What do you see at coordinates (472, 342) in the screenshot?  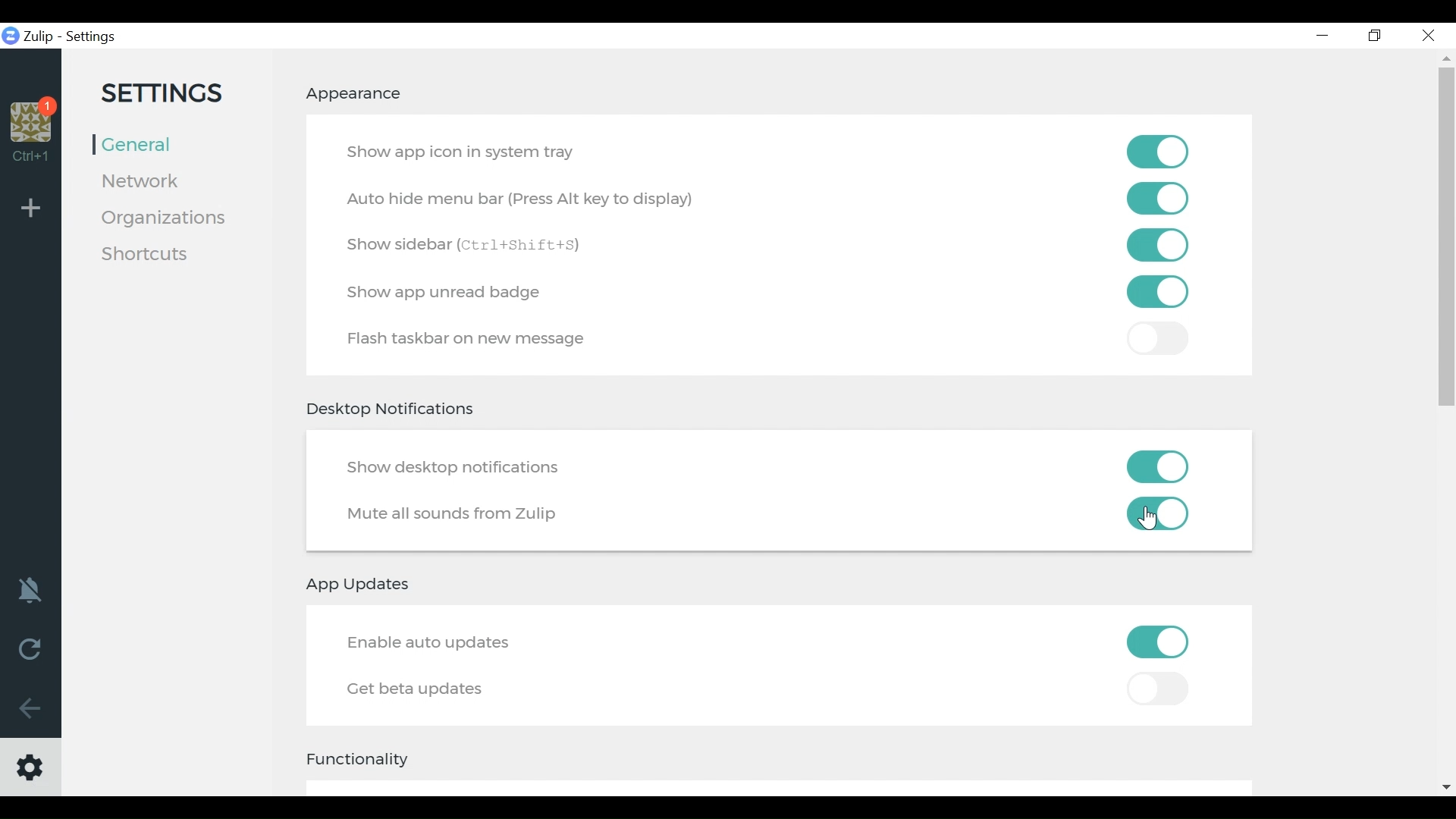 I see `Flash taskbar` at bounding box center [472, 342].